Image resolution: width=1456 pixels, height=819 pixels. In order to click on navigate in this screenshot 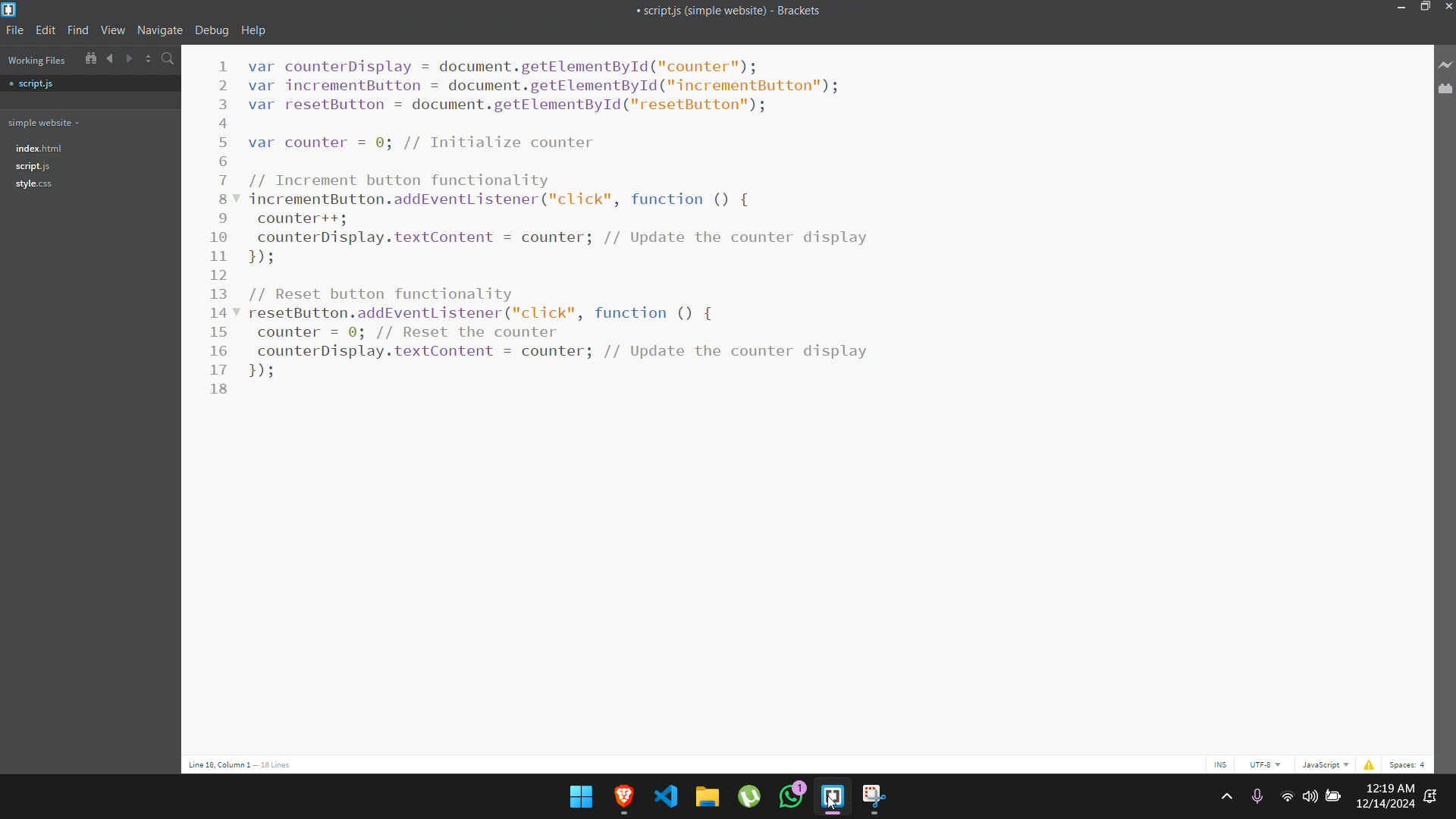, I will do `click(161, 30)`.